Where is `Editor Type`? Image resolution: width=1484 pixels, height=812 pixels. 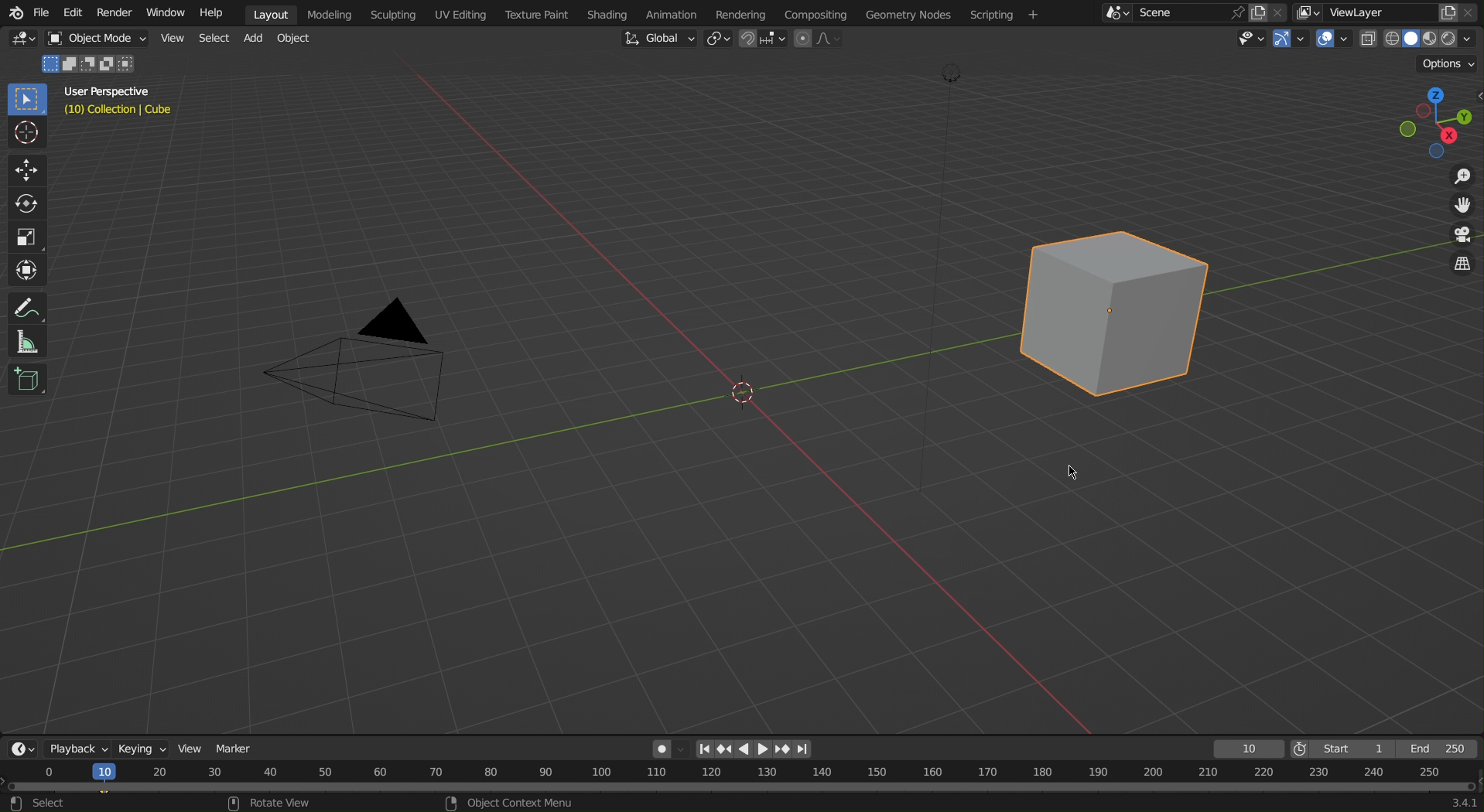 Editor Type is located at coordinates (20, 749).